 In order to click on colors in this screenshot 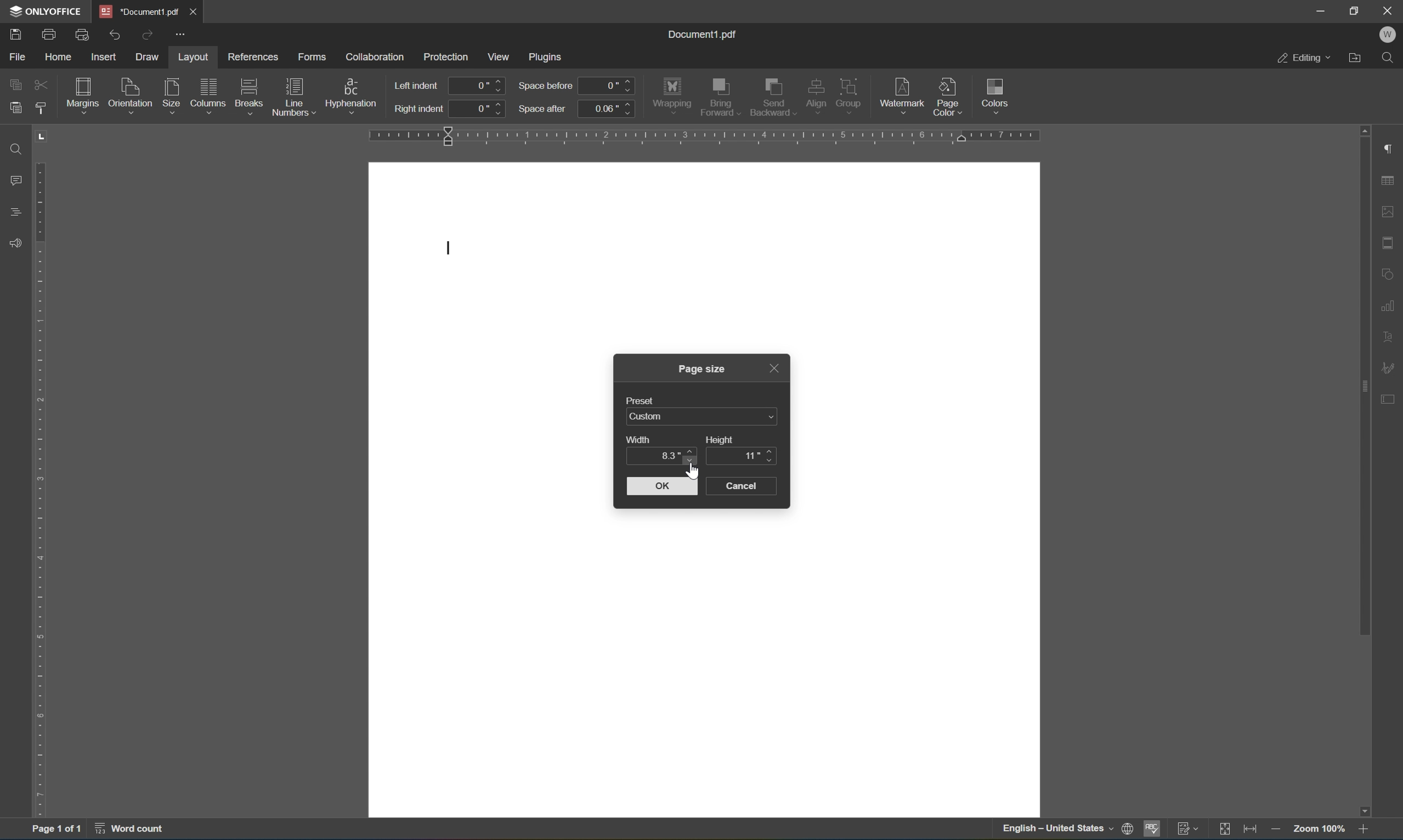, I will do `click(998, 95)`.